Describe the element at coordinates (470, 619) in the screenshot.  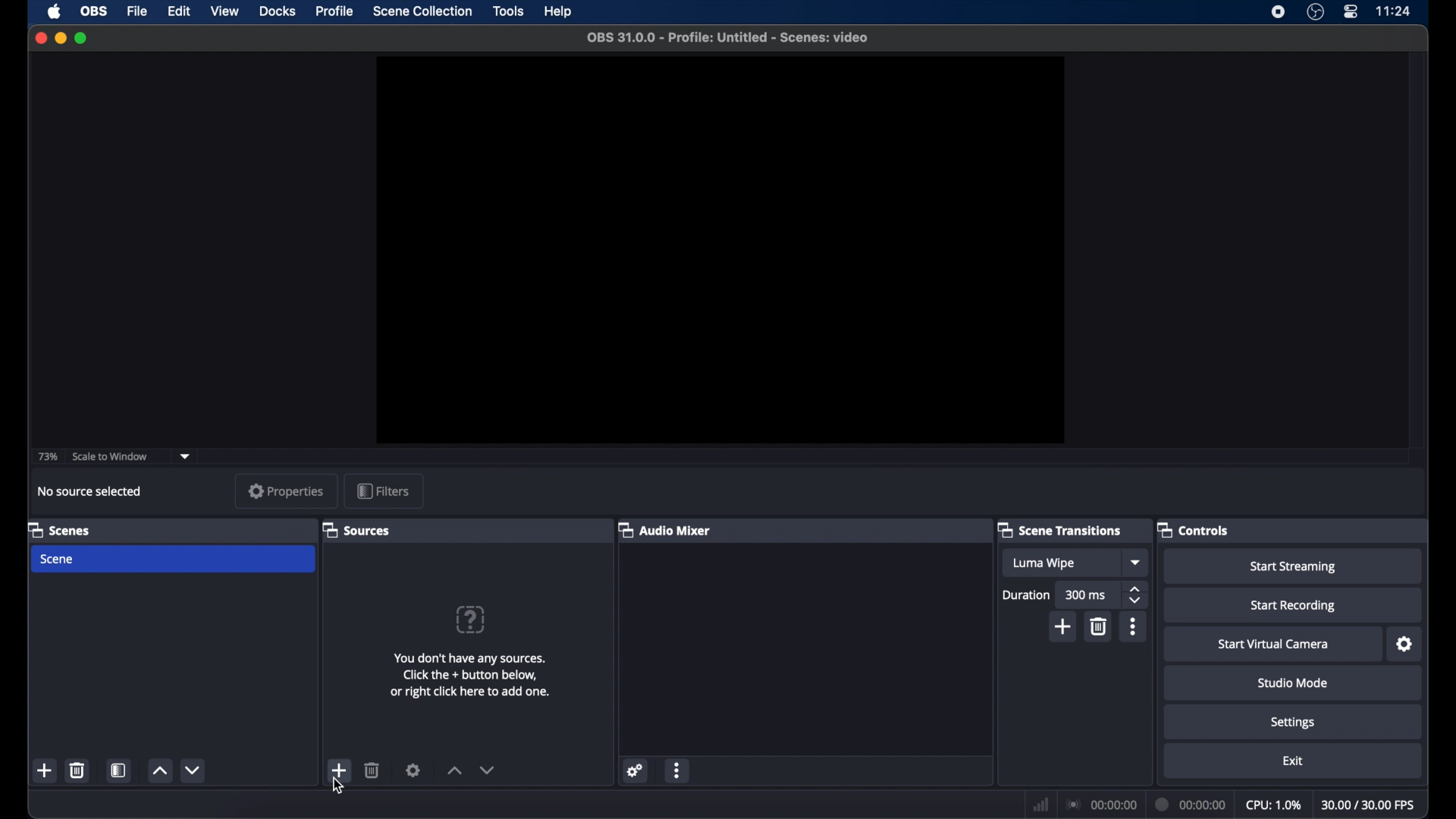
I see `help` at that location.